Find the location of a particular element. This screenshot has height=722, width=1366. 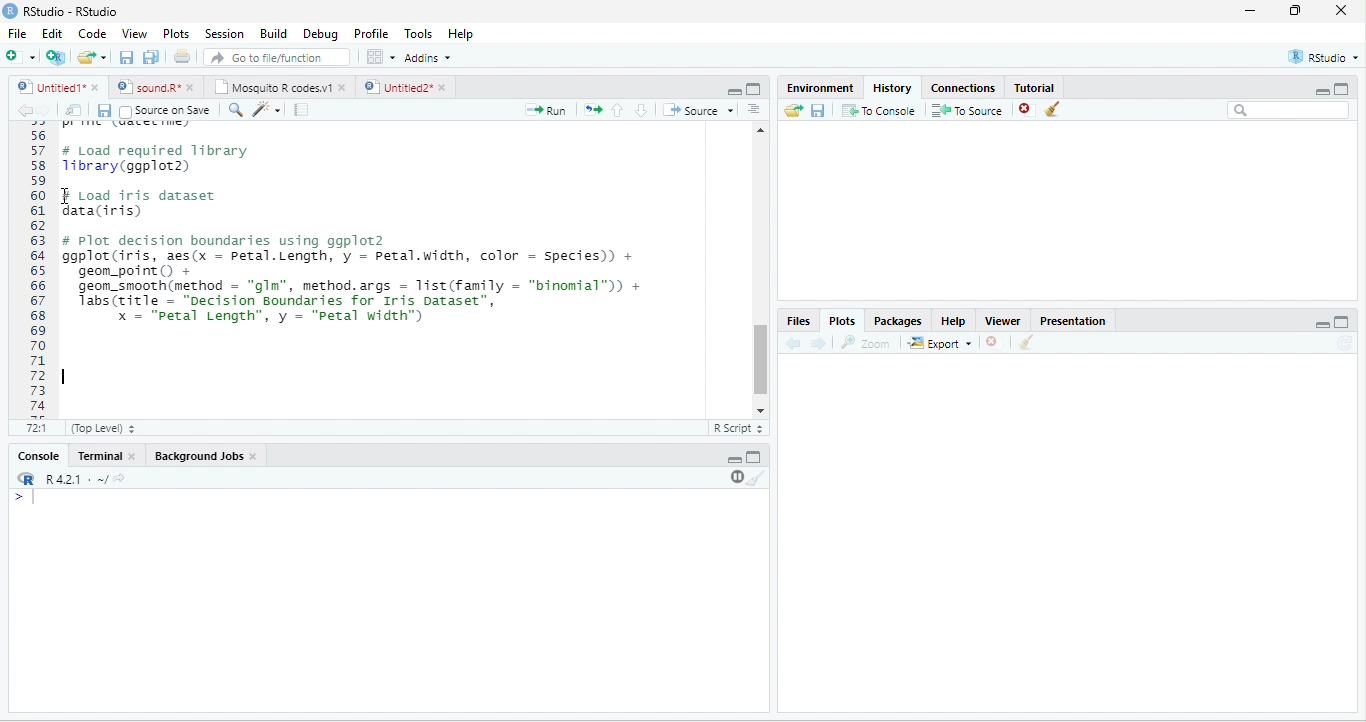

View is located at coordinates (134, 34).